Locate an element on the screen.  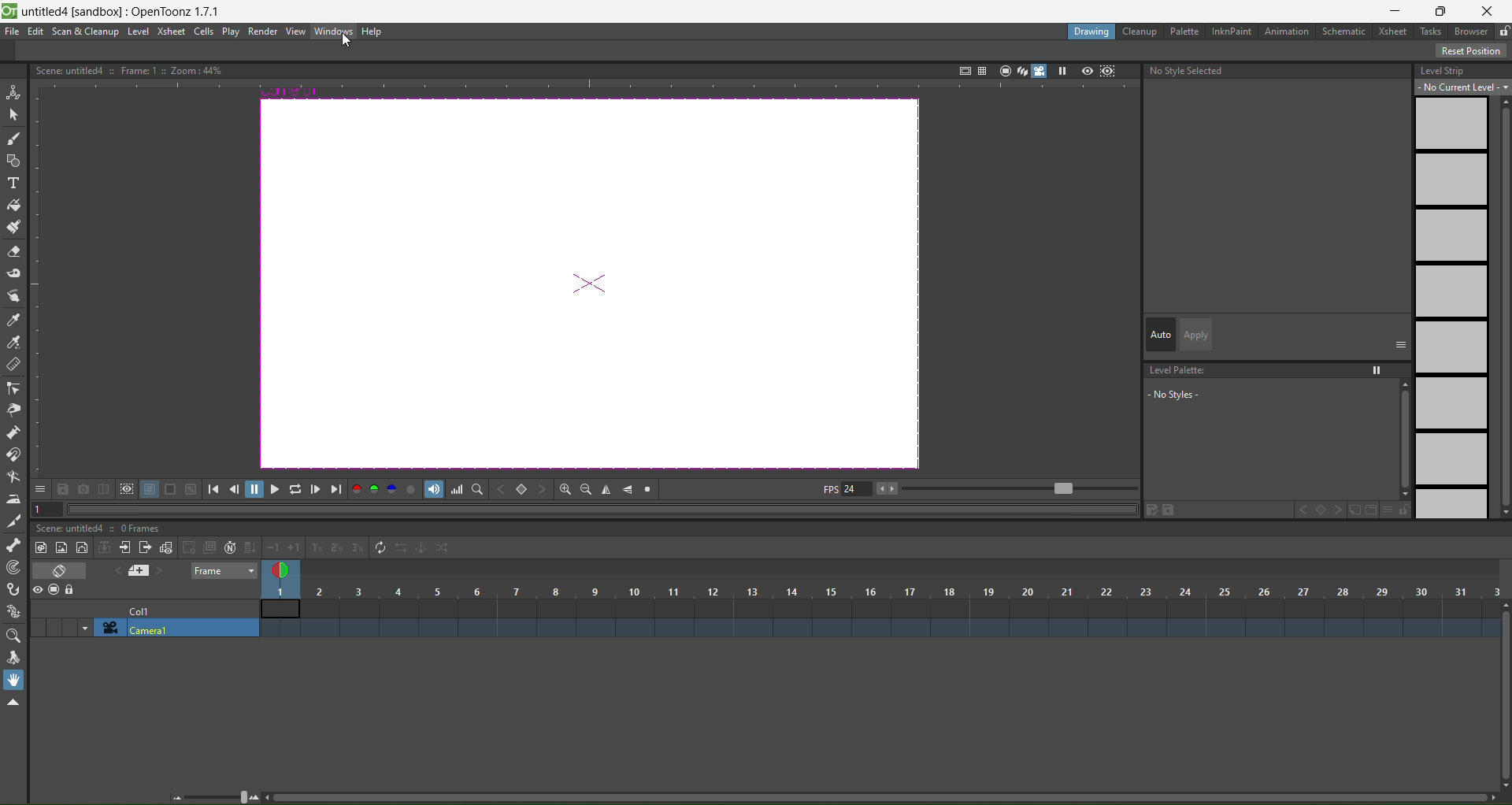
maximize is located at coordinates (1443, 10).